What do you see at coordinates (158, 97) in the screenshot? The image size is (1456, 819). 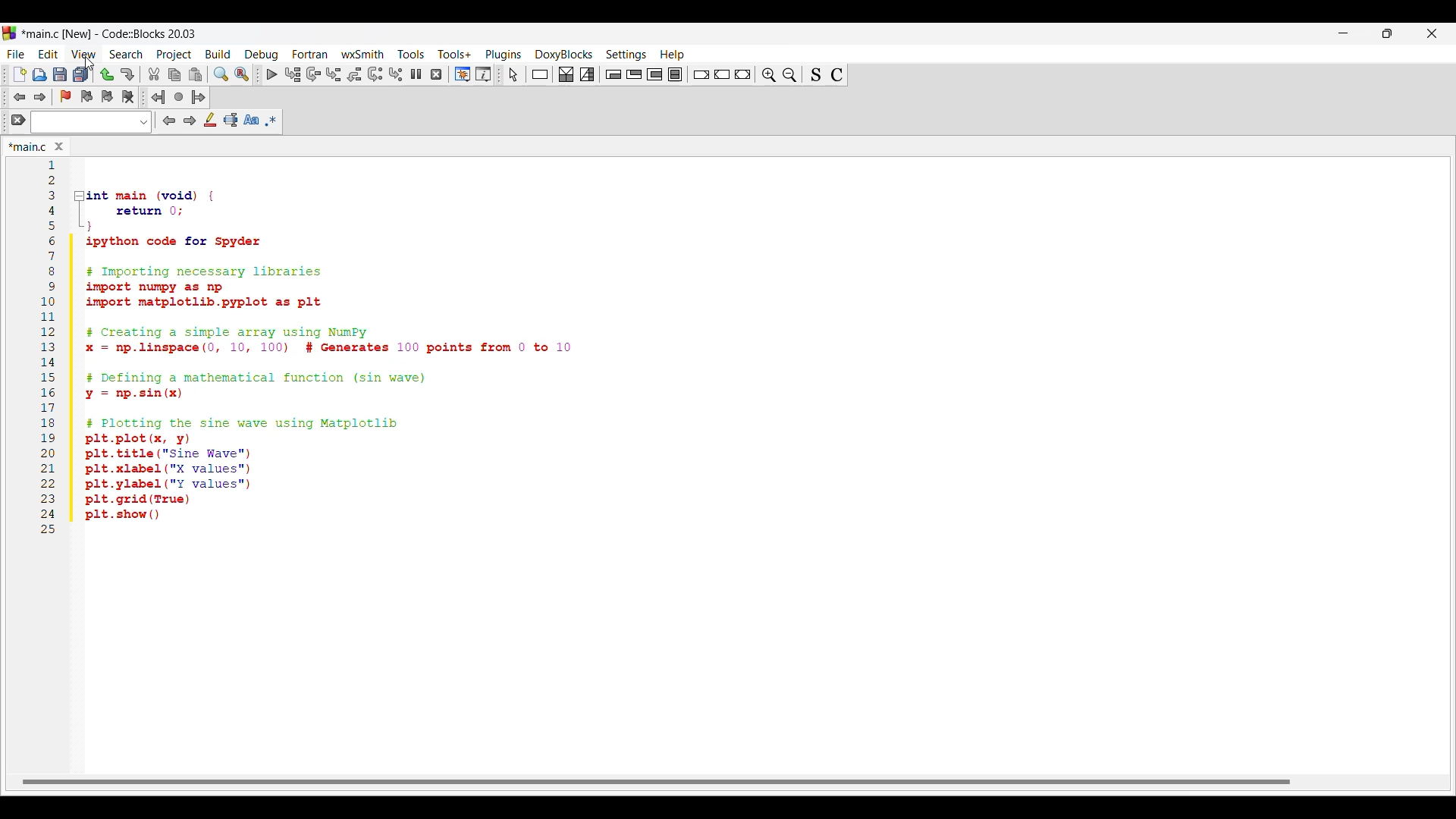 I see `Jump back` at bounding box center [158, 97].